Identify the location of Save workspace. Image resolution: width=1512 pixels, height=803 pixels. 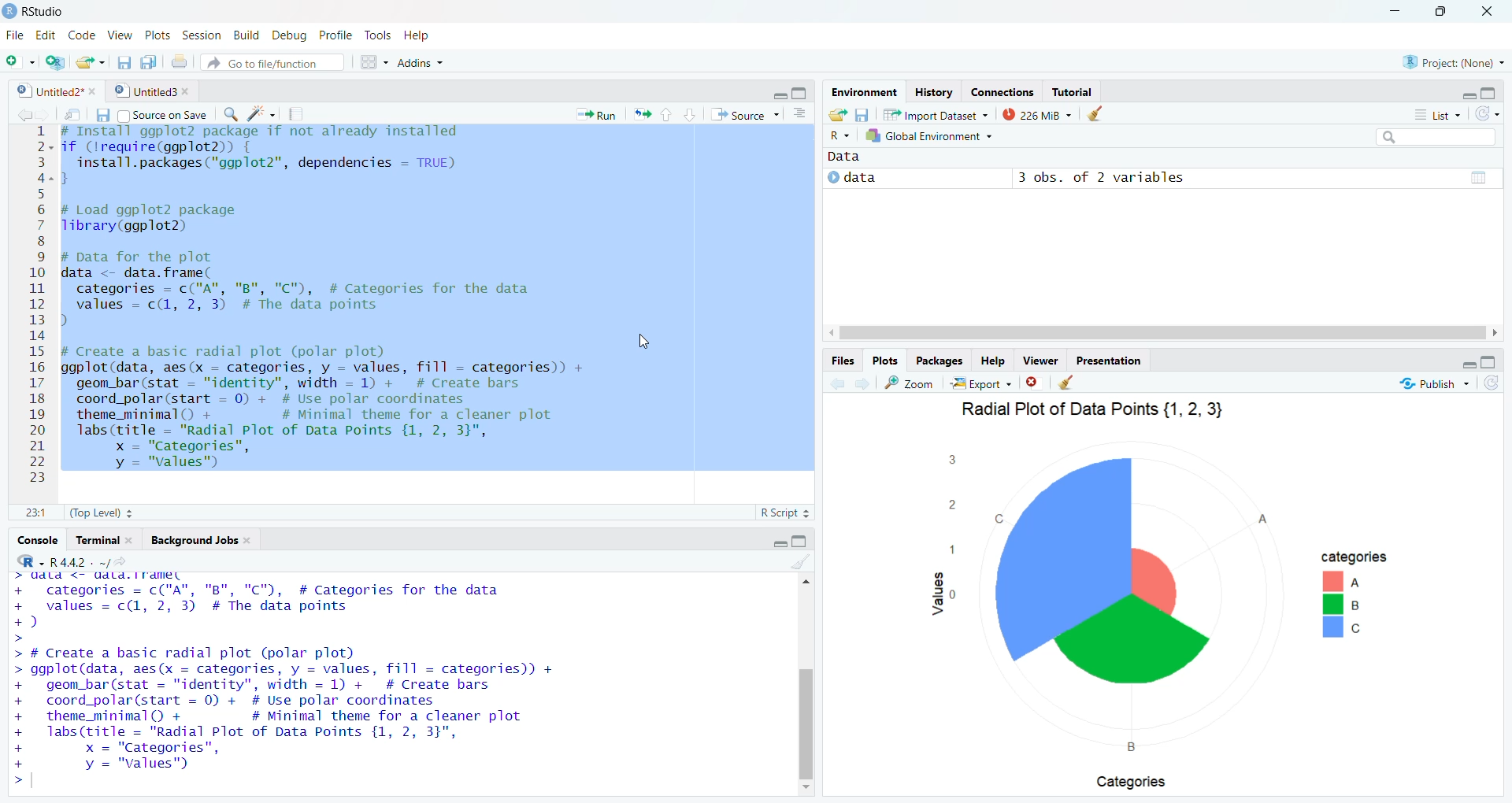
(866, 113).